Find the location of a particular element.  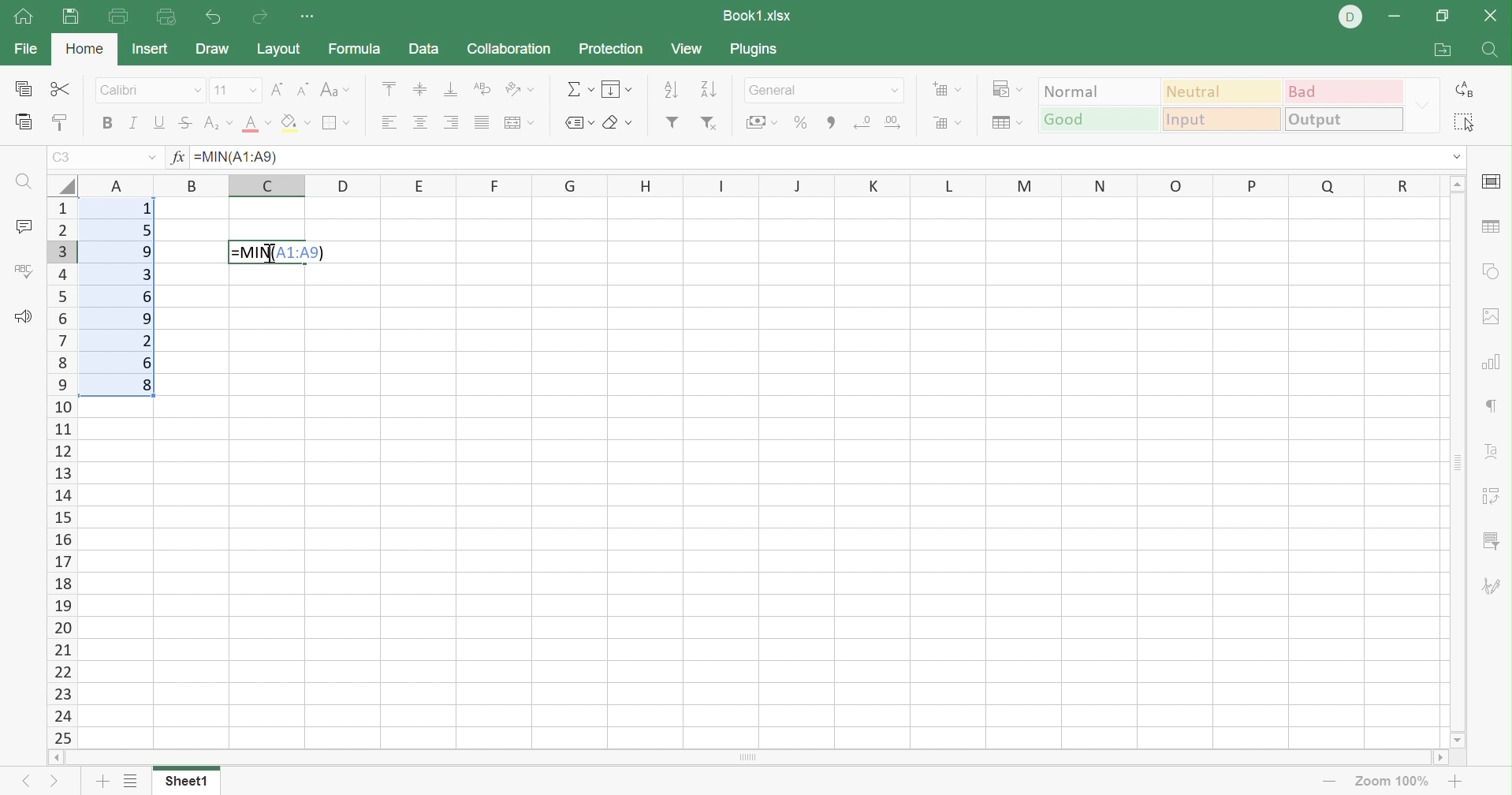

Filter is located at coordinates (671, 123).